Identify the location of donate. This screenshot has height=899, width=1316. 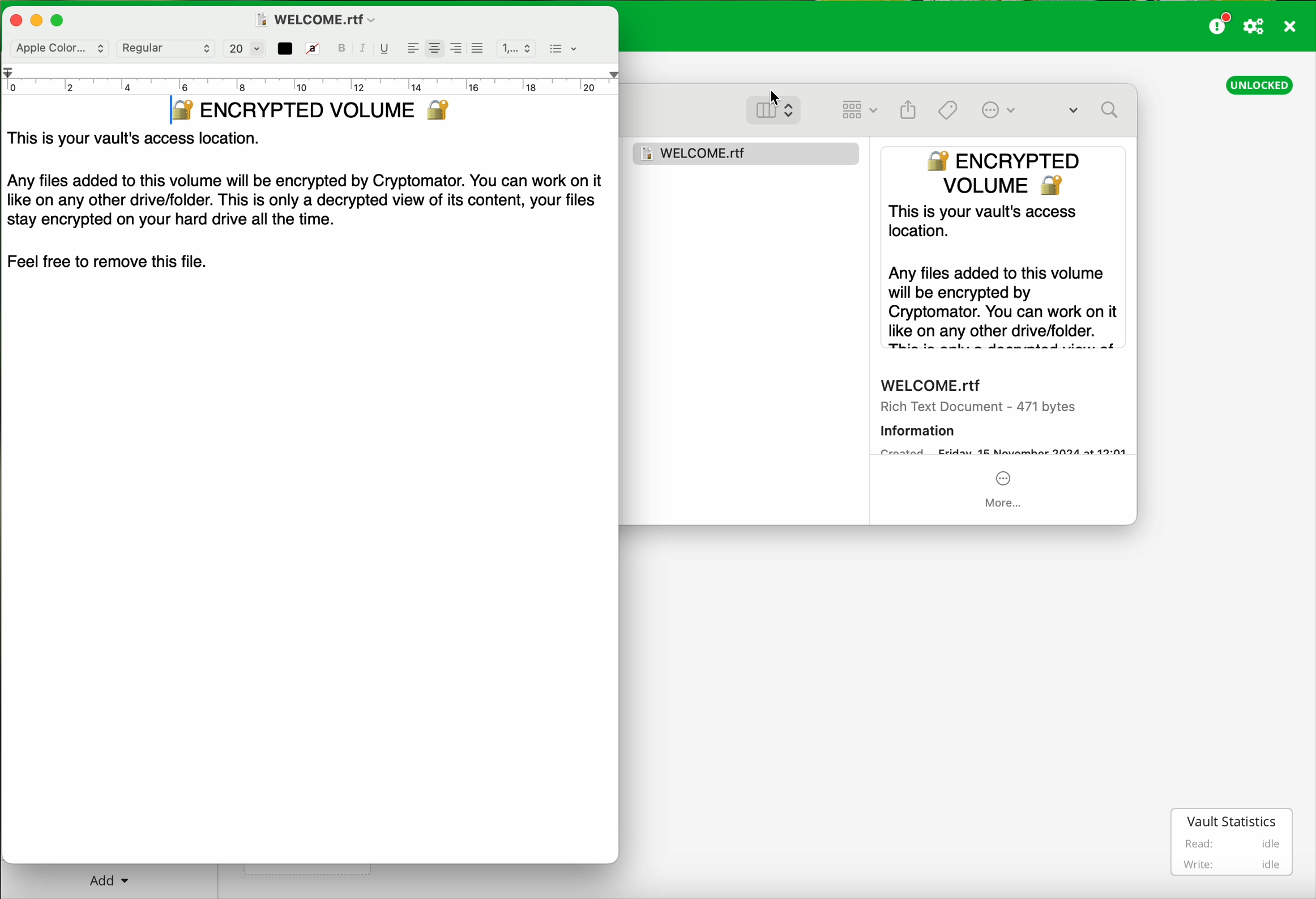
(1220, 23).